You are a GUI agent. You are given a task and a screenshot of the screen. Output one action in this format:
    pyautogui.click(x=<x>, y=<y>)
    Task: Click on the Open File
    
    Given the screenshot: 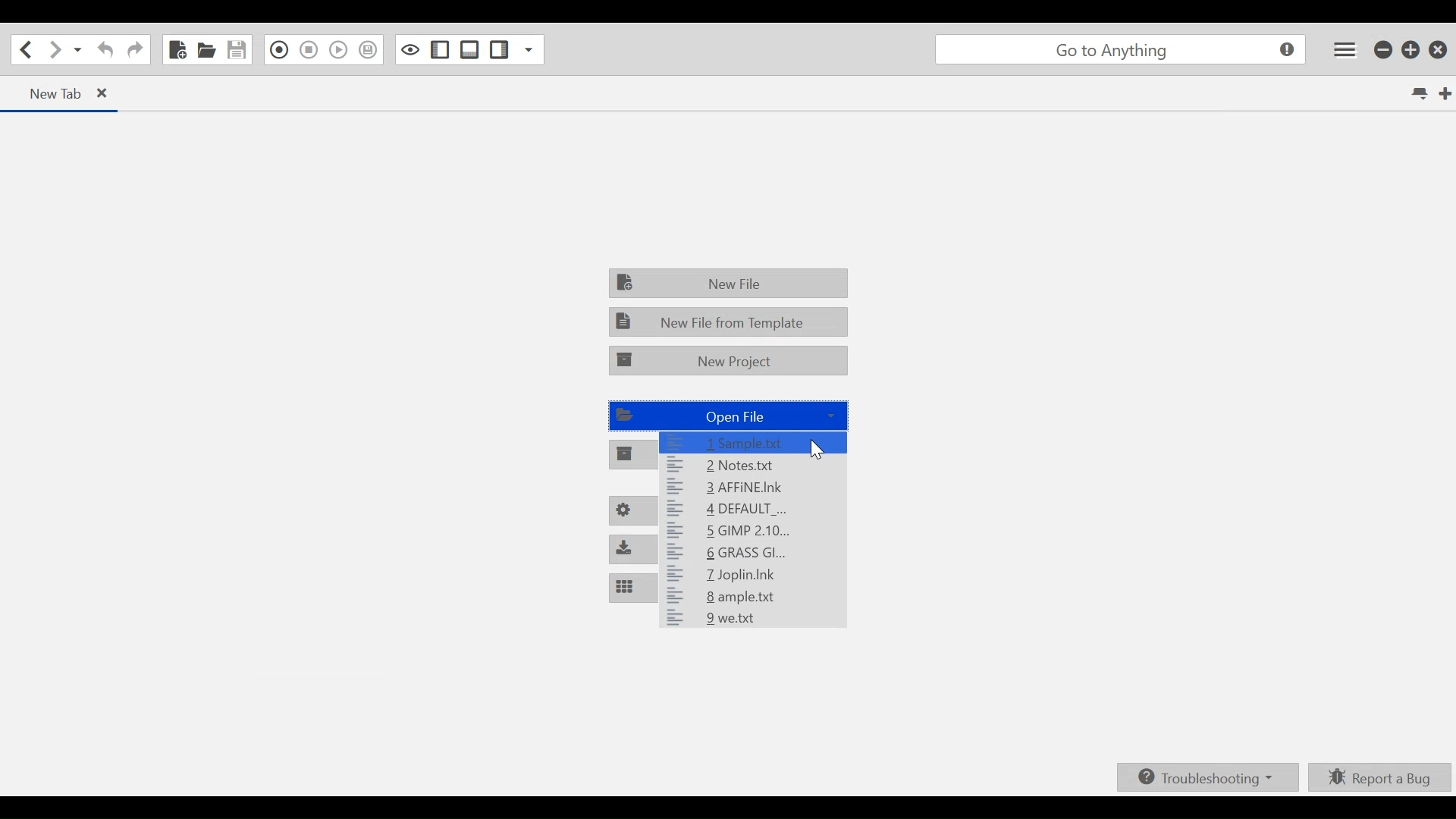 What is the action you would take?
    pyautogui.click(x=726, y=416)
    